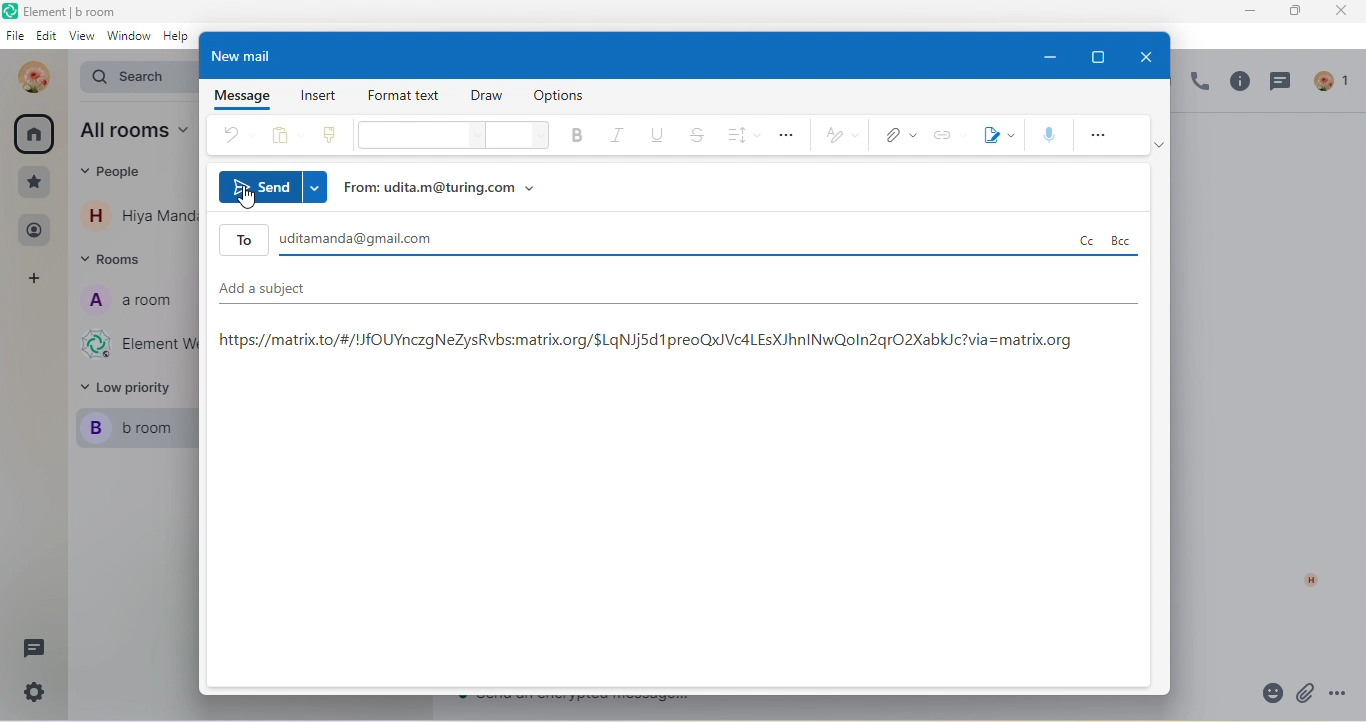  I want to click on more option, so click(1100, 135).